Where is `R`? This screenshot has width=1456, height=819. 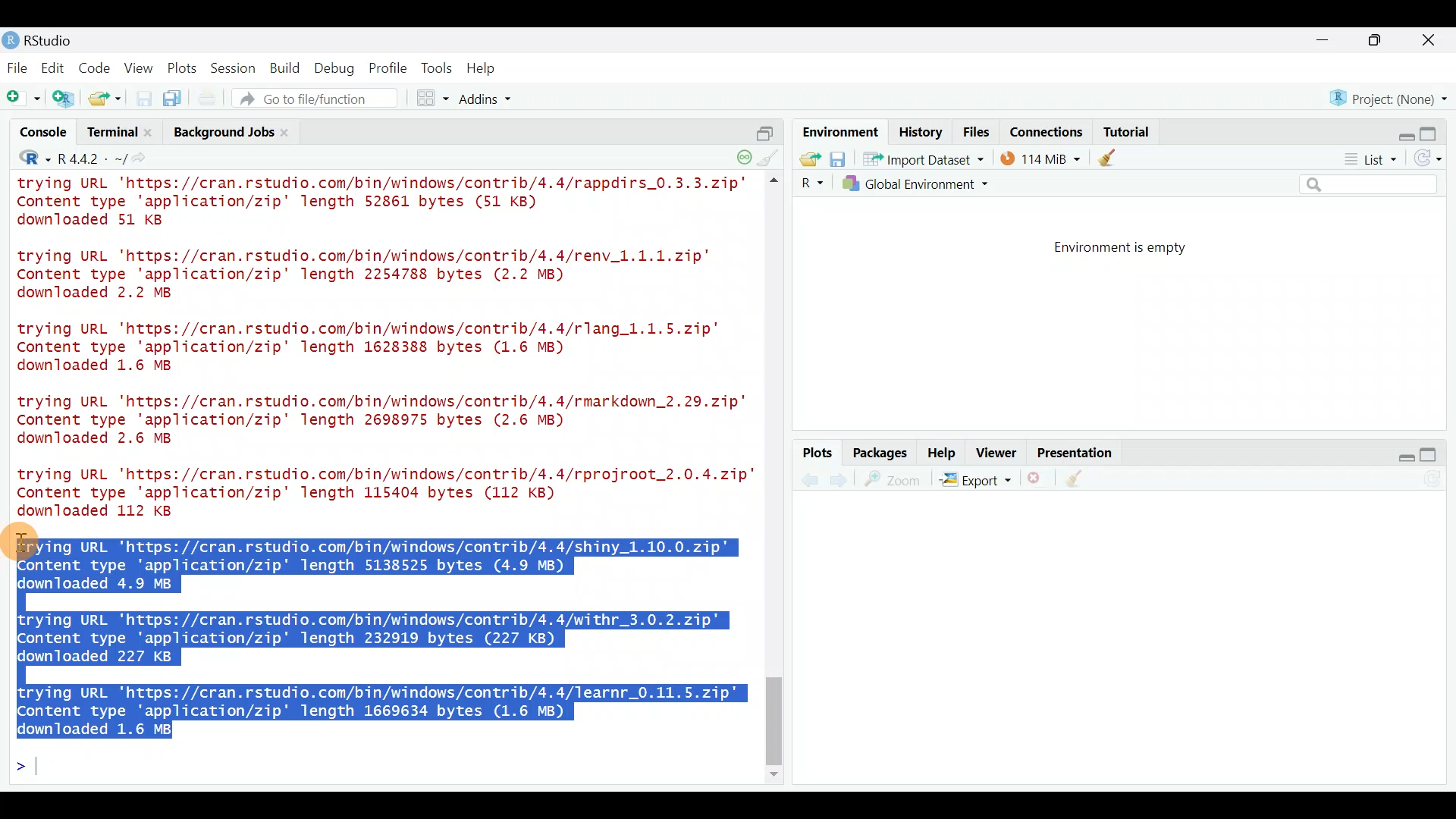
R is located at coordinates (24, 160).